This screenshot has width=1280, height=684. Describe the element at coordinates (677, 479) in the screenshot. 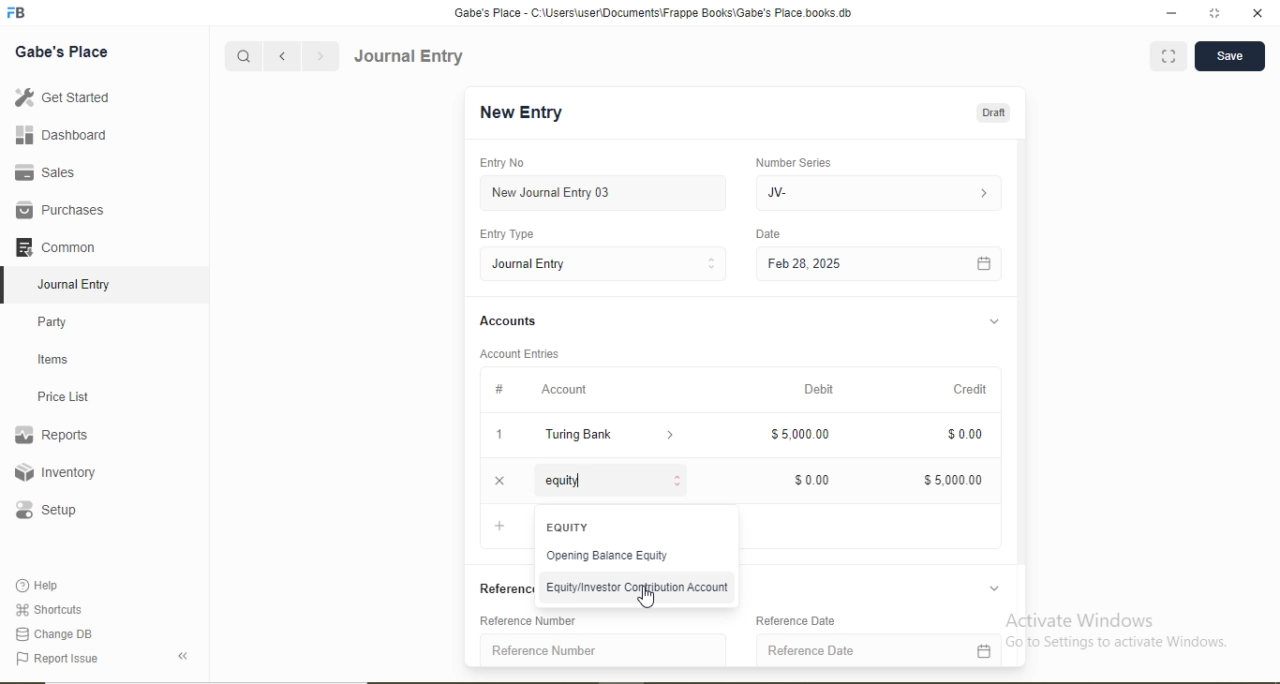

I see `Stepper Buttons` at that location.